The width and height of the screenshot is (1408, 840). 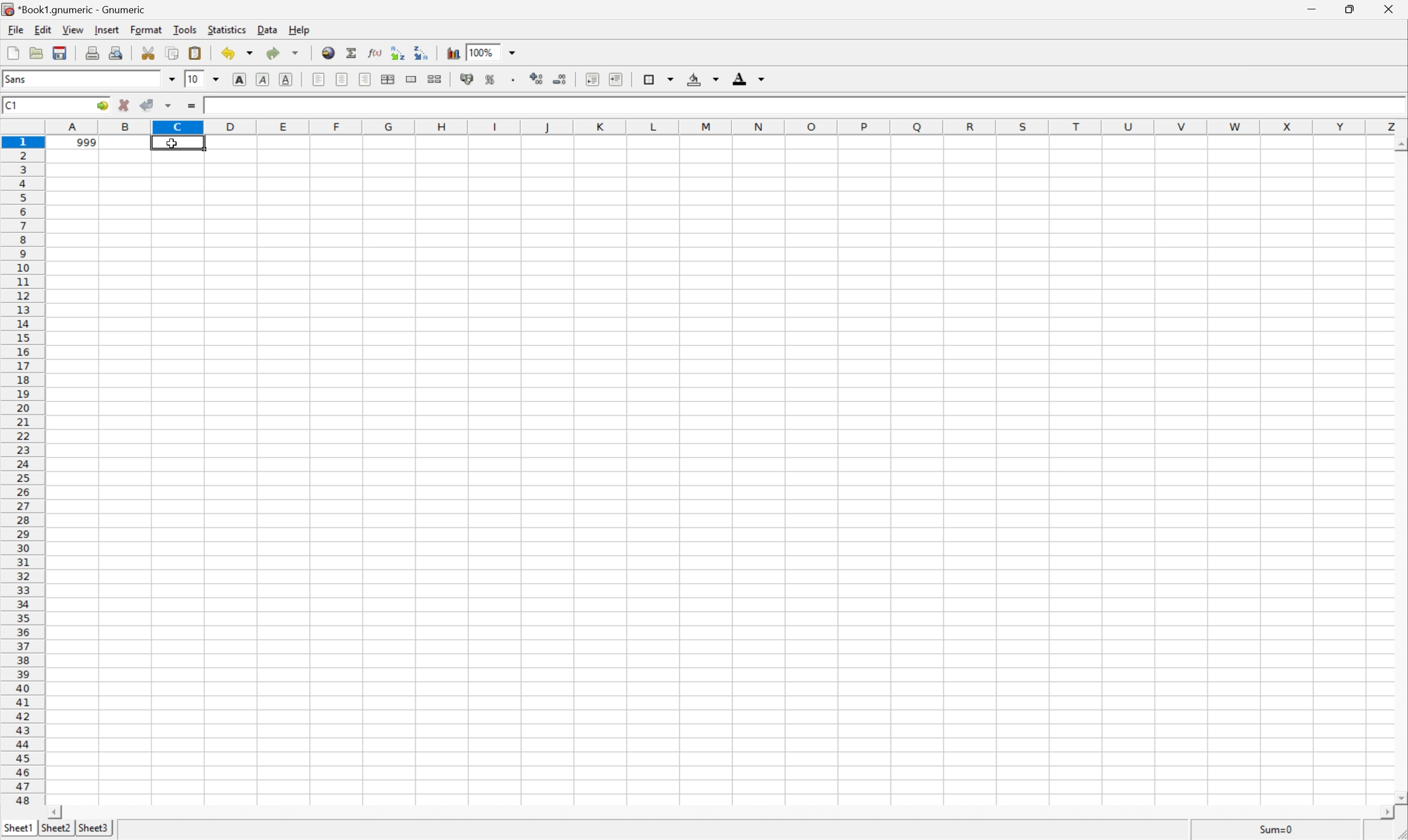 What do you see at coordinates (45, 103) in the screenshot?
I see `Cell name C1` at bounding box center [45, 103].